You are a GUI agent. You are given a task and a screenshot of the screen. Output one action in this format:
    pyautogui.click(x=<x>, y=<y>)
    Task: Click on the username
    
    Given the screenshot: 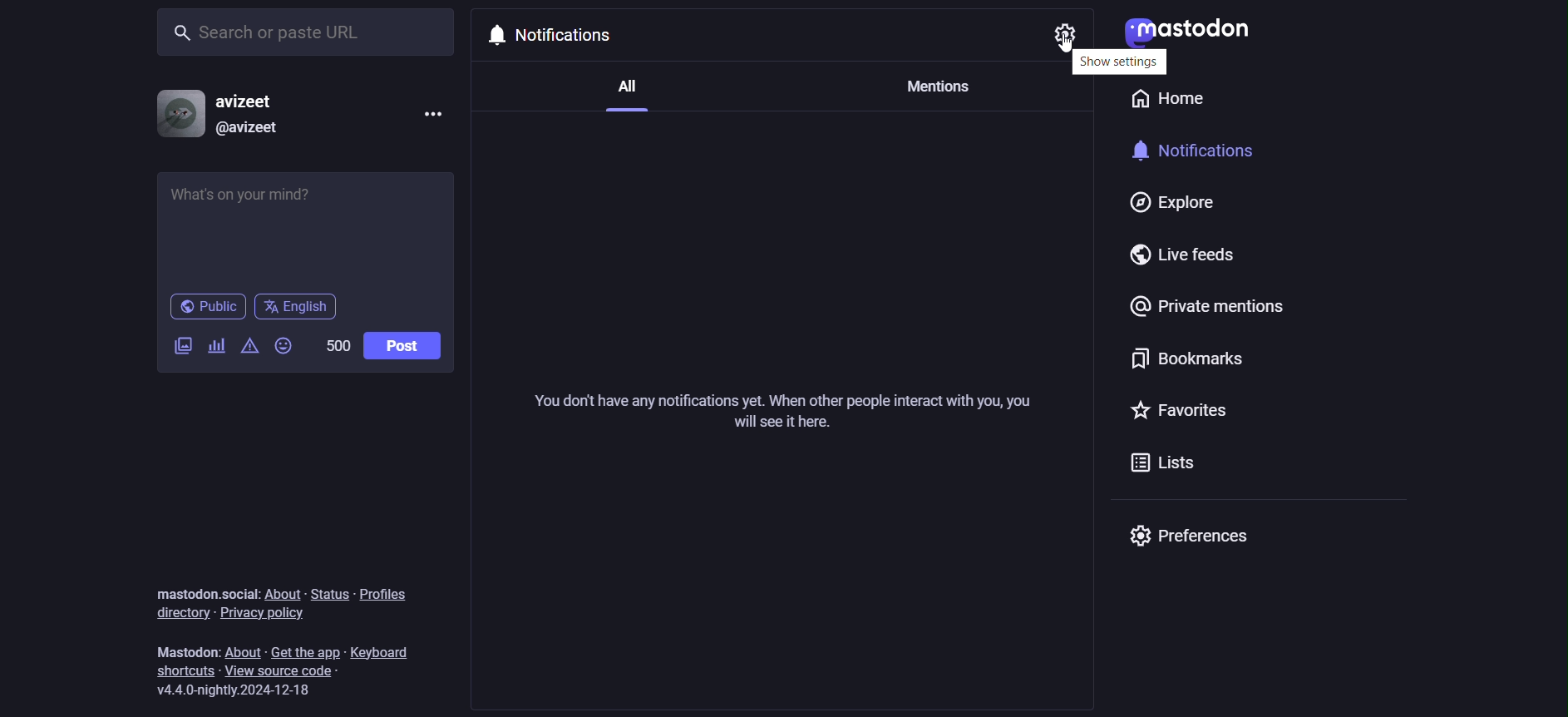 What is the action you would take?
    pyautogui.click(x=255, y=100)
    